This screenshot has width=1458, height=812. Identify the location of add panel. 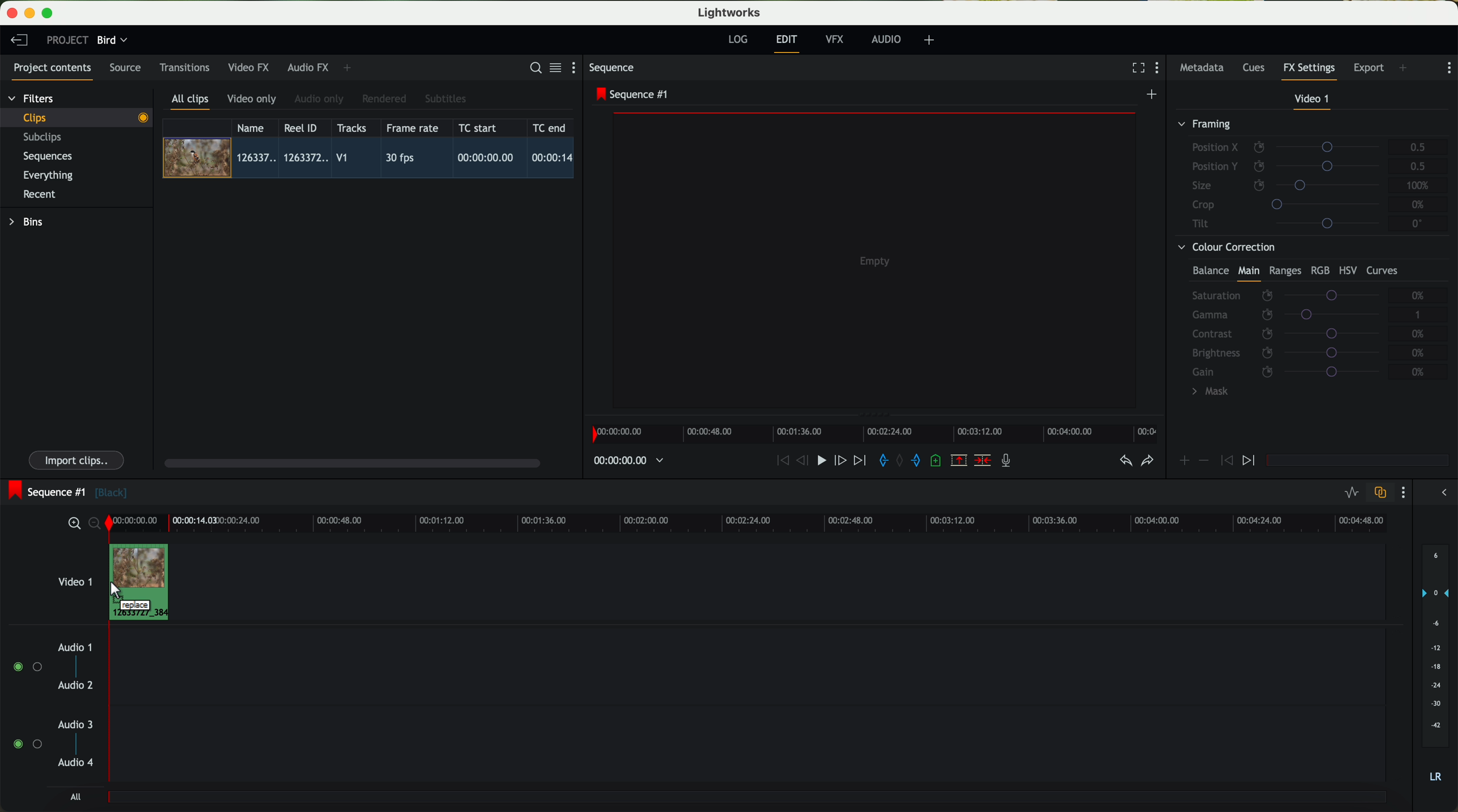
(1406, 69).